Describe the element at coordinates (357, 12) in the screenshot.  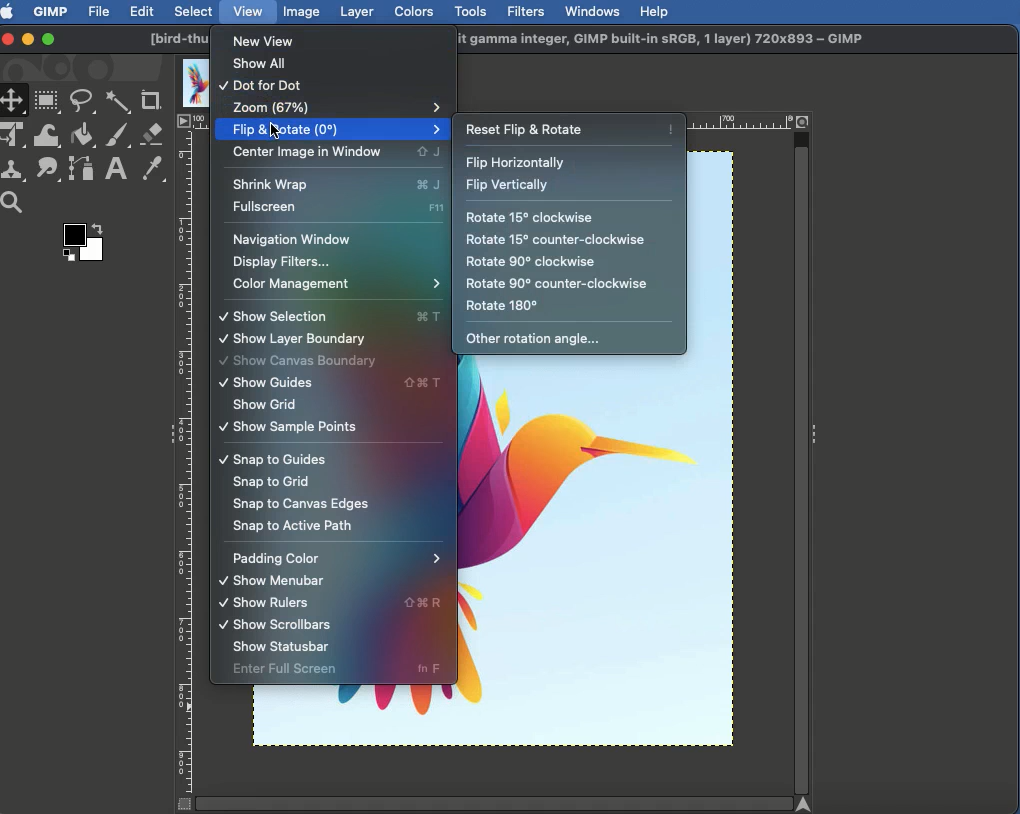
I see `Layer` at that location.